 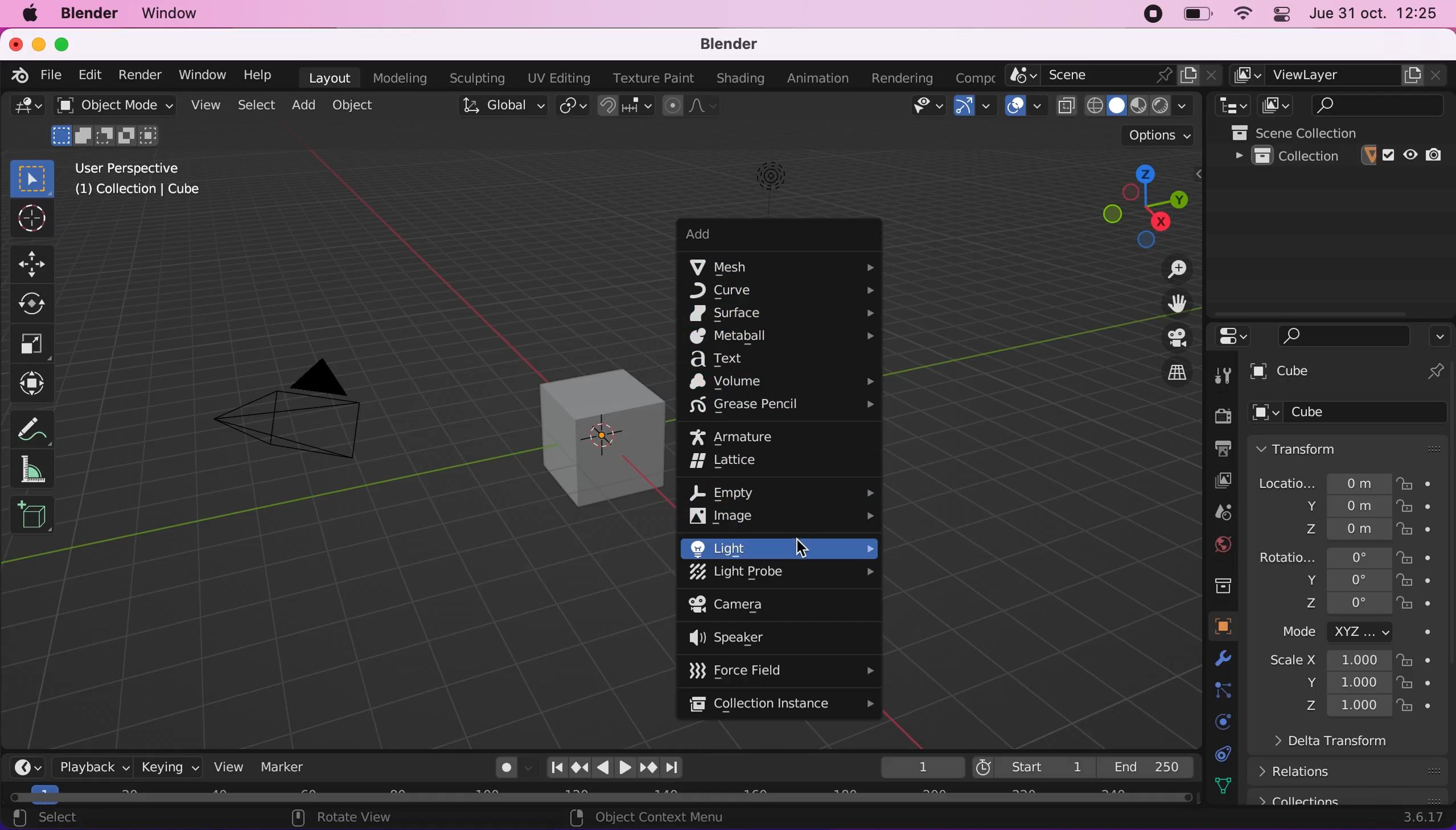 What do you see at coordinates (1214, 659) in the screenshot?
I see `modifiers` at bounding box center [1214, 659].